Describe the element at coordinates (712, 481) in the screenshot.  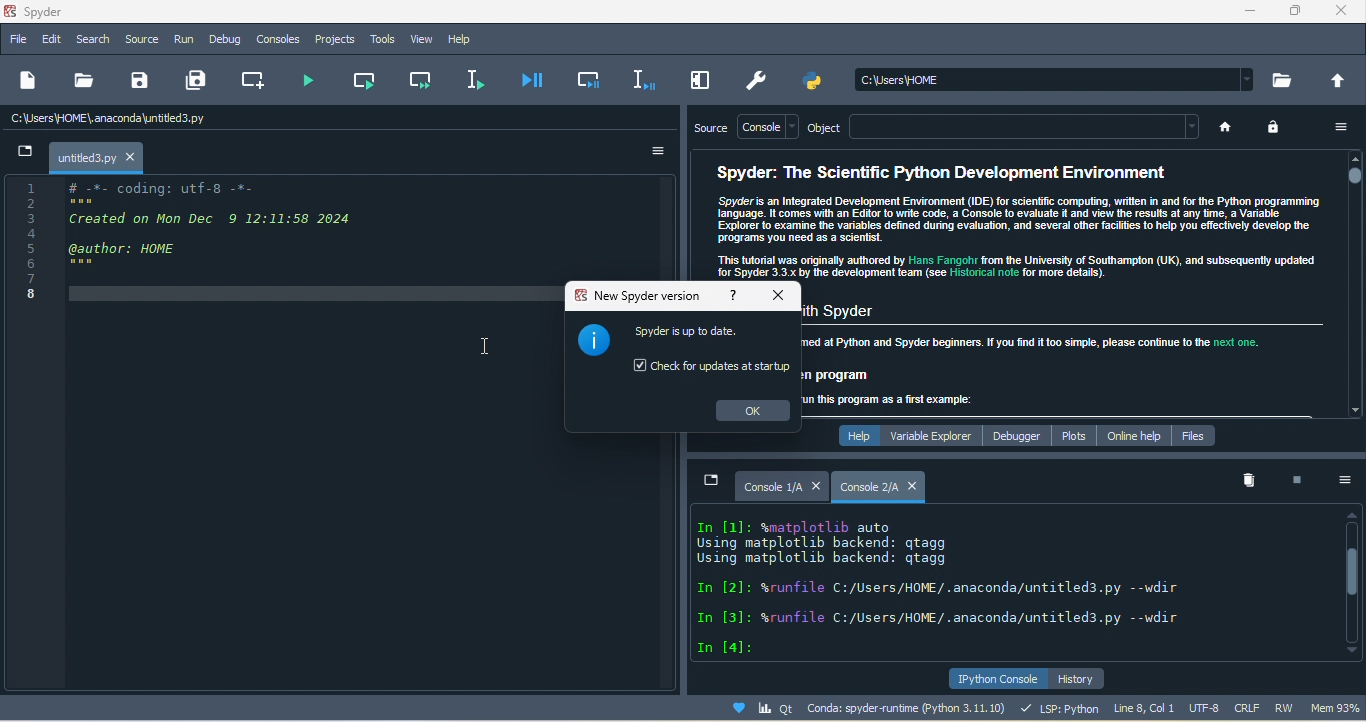
I see `minimize` at that location.